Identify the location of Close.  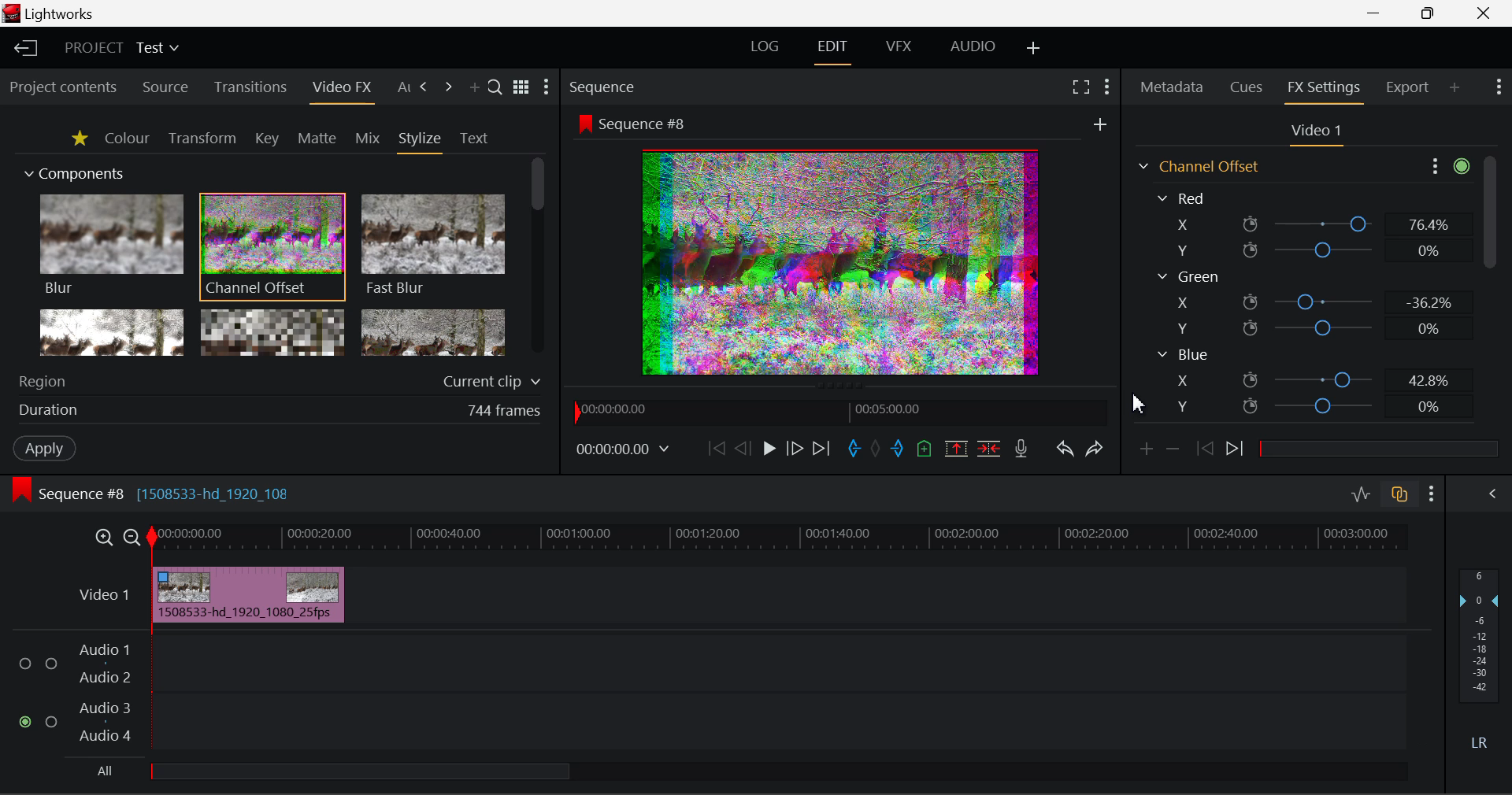
(1483, 14).